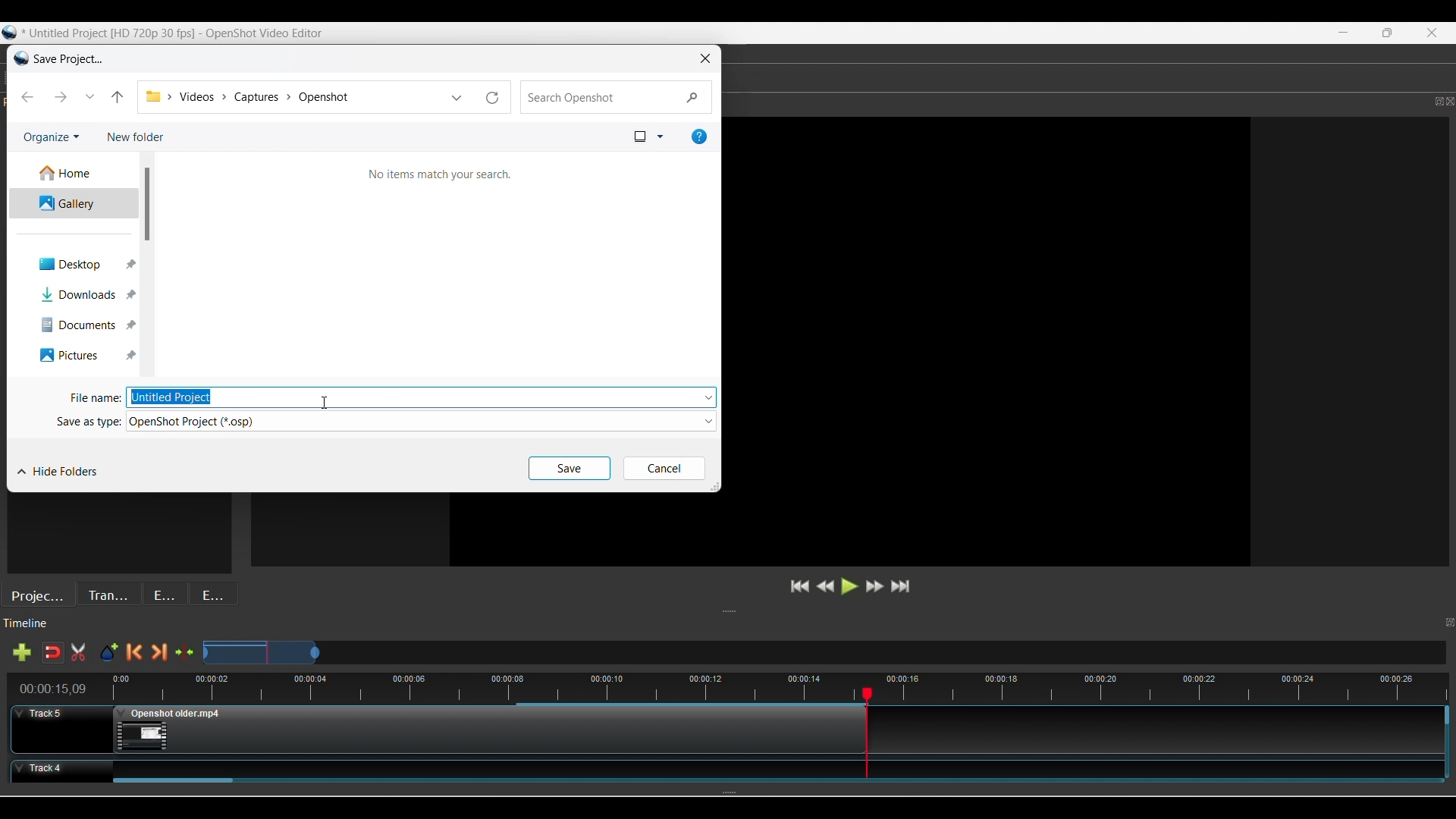  What do you see at coordinates (660, 136) in the screenshot?
I see `More view options` at bounding box center [660, 136].